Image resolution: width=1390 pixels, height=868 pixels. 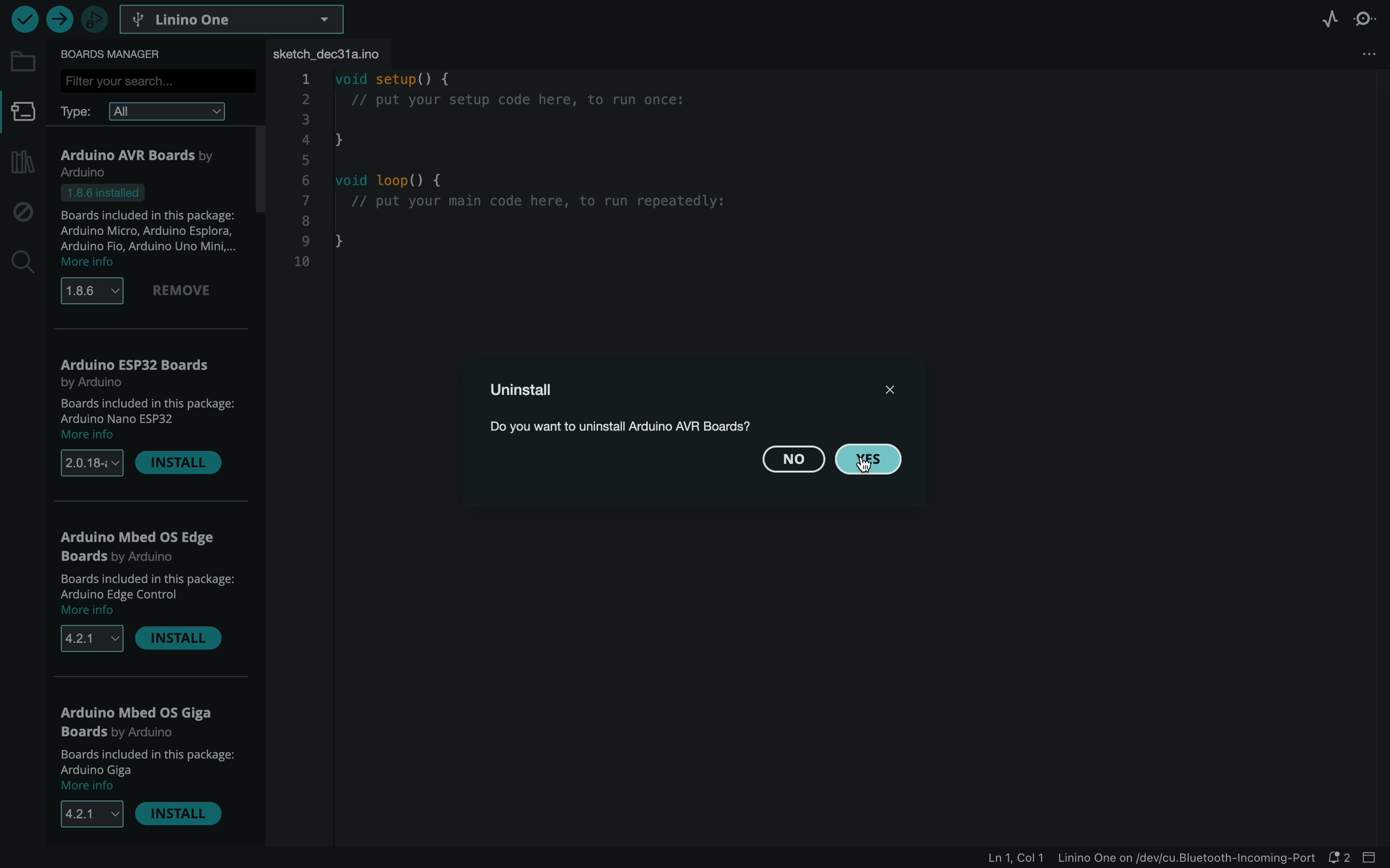 I want to click on description, so click(x=145, y=762).